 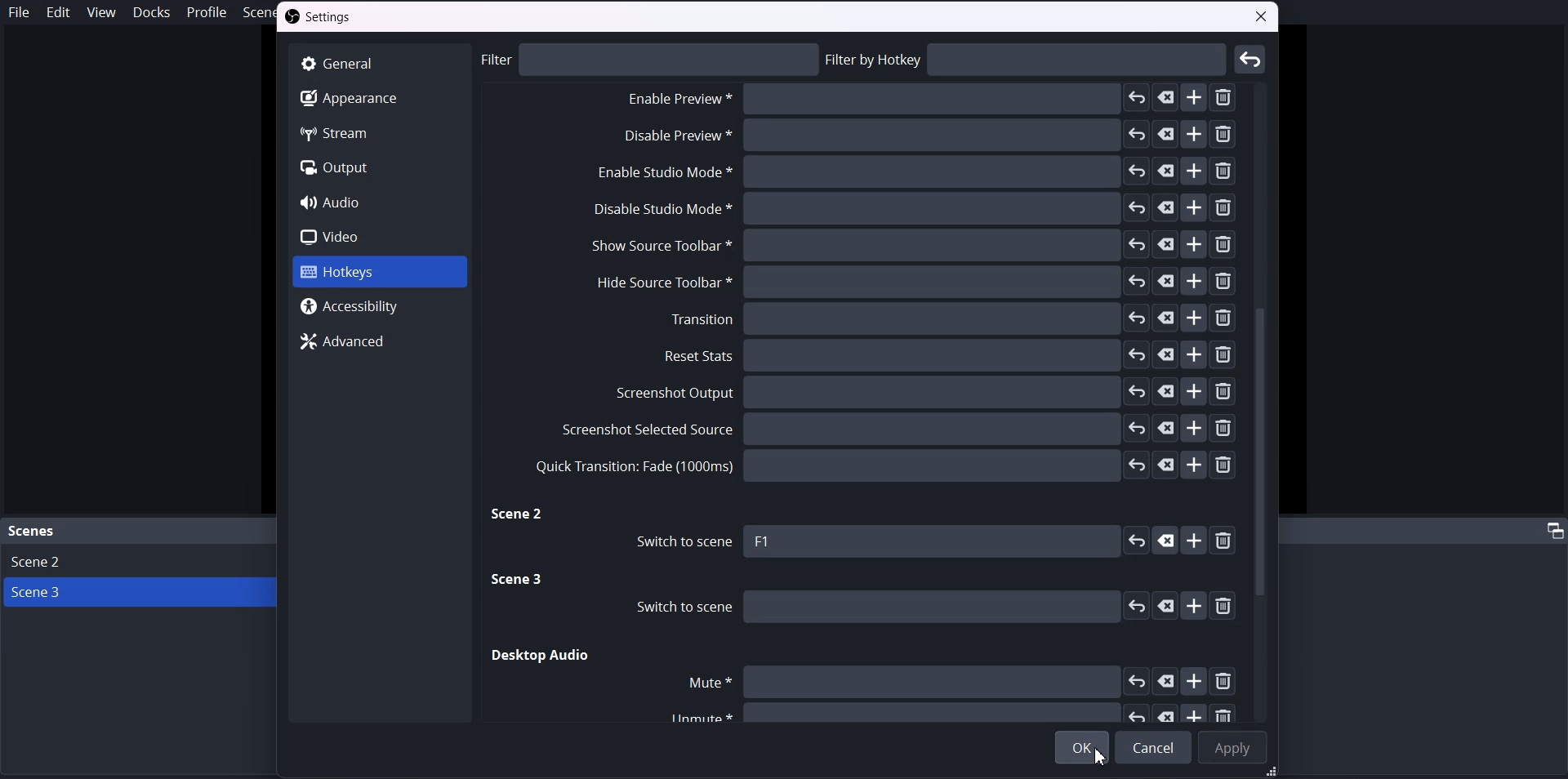 What do you see at coordinates (924, 140) in the screenshot?
I see `Enable Preview` at bounding box center [924, 140].